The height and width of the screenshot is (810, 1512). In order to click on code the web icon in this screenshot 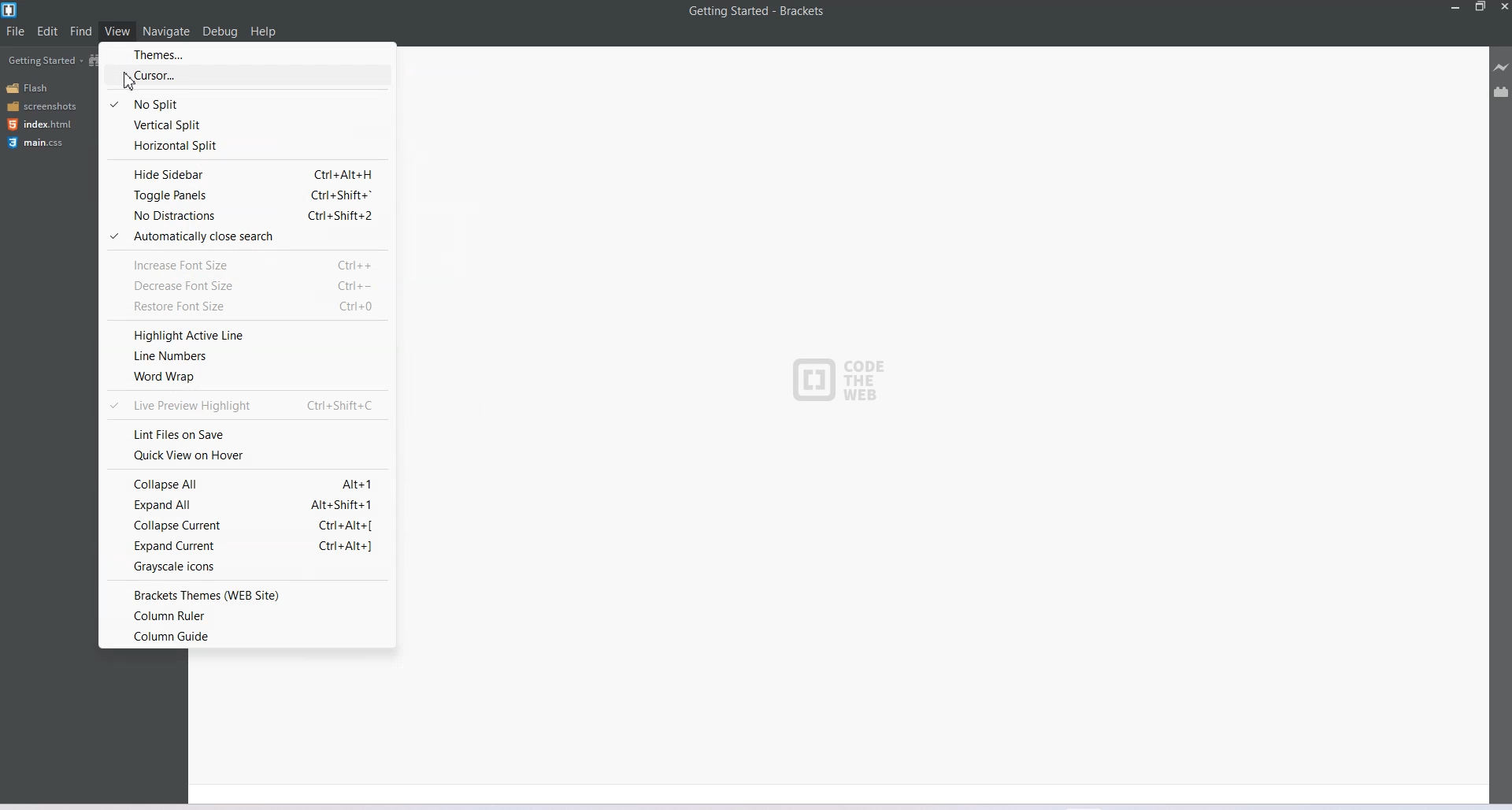, I will do `click(847, 383)`.